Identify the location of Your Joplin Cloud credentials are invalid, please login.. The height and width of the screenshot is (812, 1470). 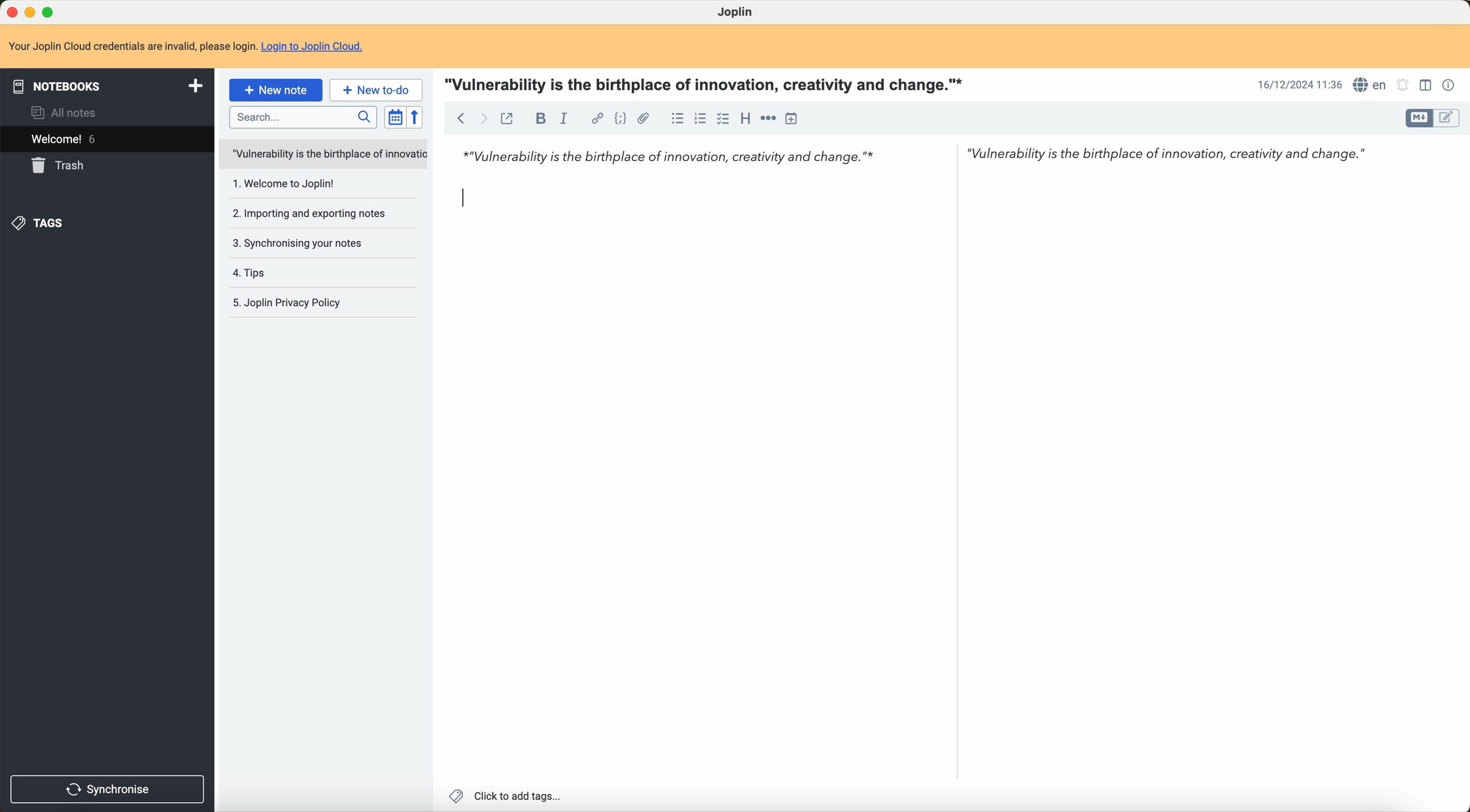
(131, 45).